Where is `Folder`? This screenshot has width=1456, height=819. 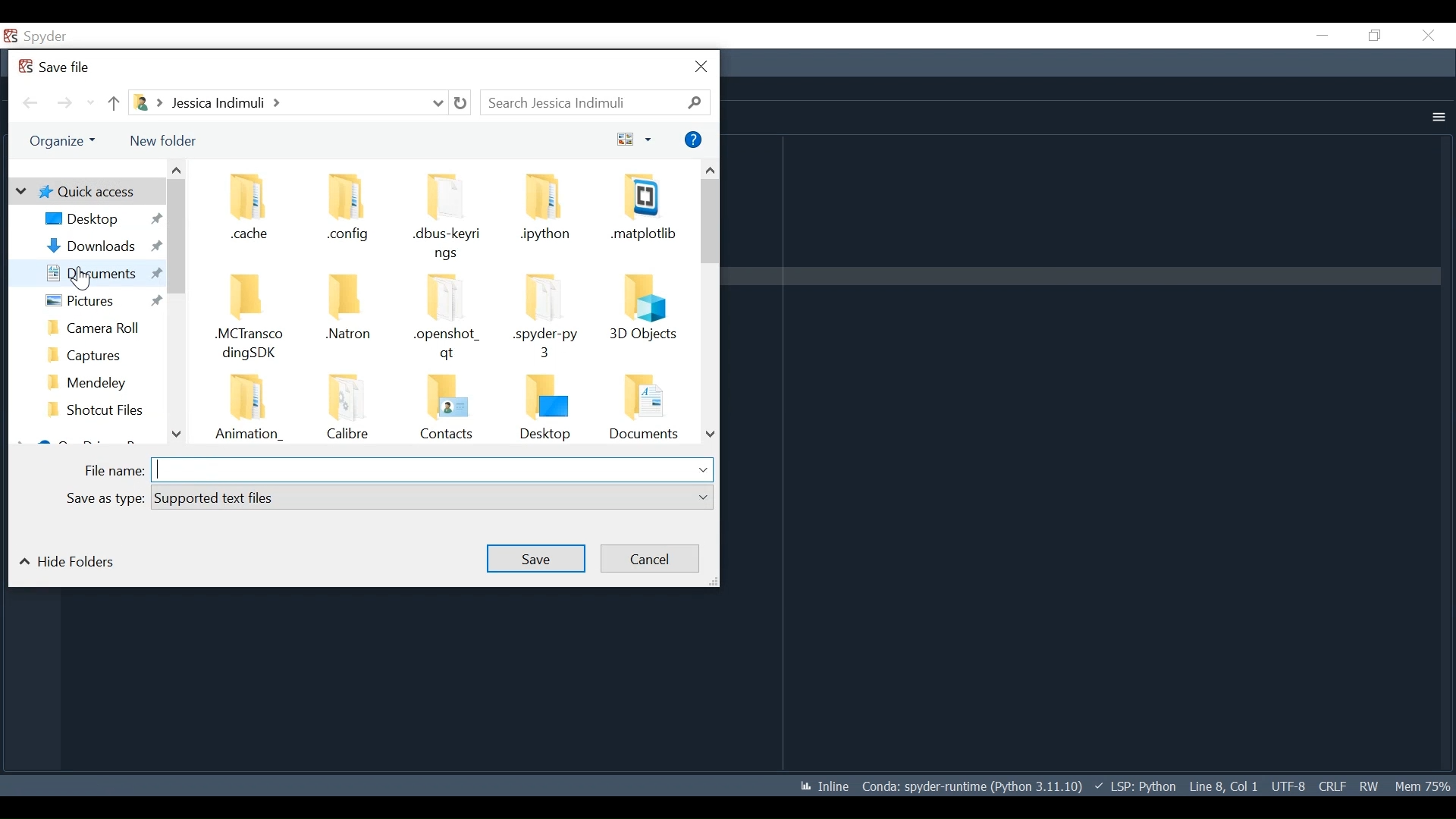 Folder is located at coordinates (547, 408).